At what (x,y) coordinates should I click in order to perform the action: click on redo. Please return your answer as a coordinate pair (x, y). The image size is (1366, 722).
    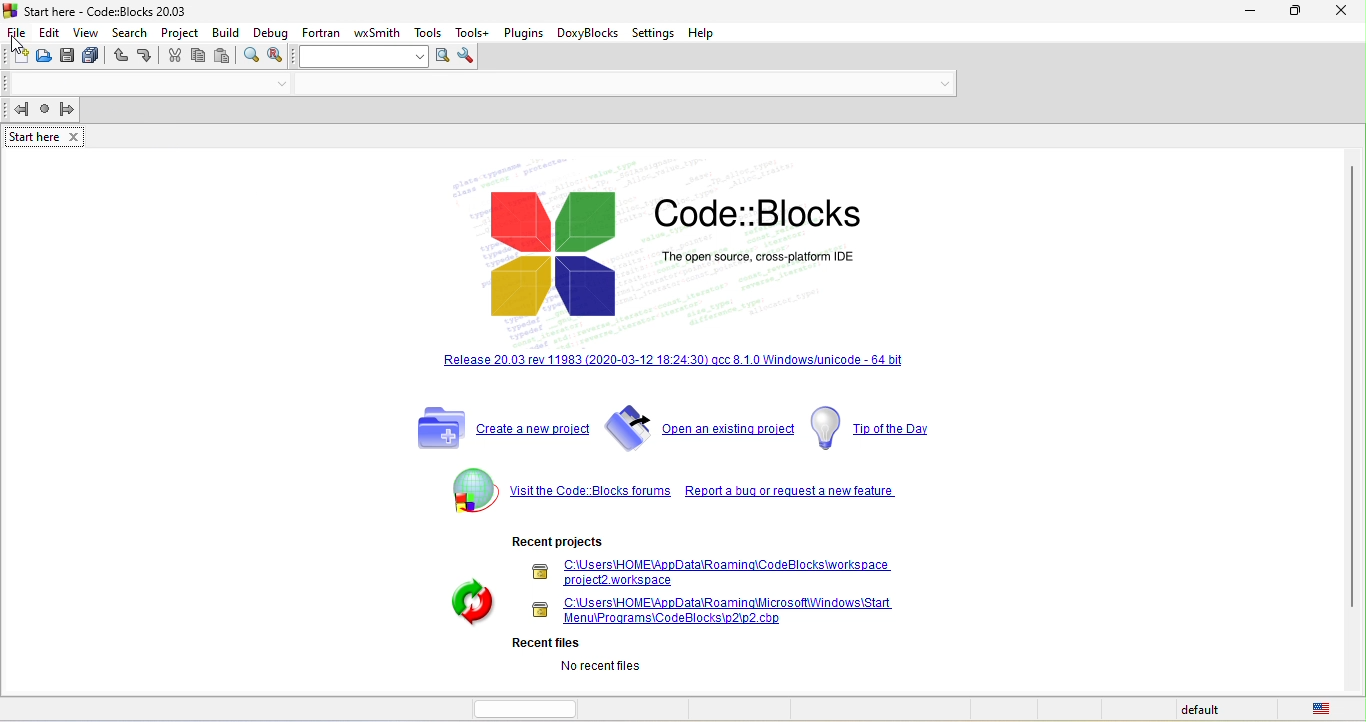
    Looking at the image, I should click on (147, 56).